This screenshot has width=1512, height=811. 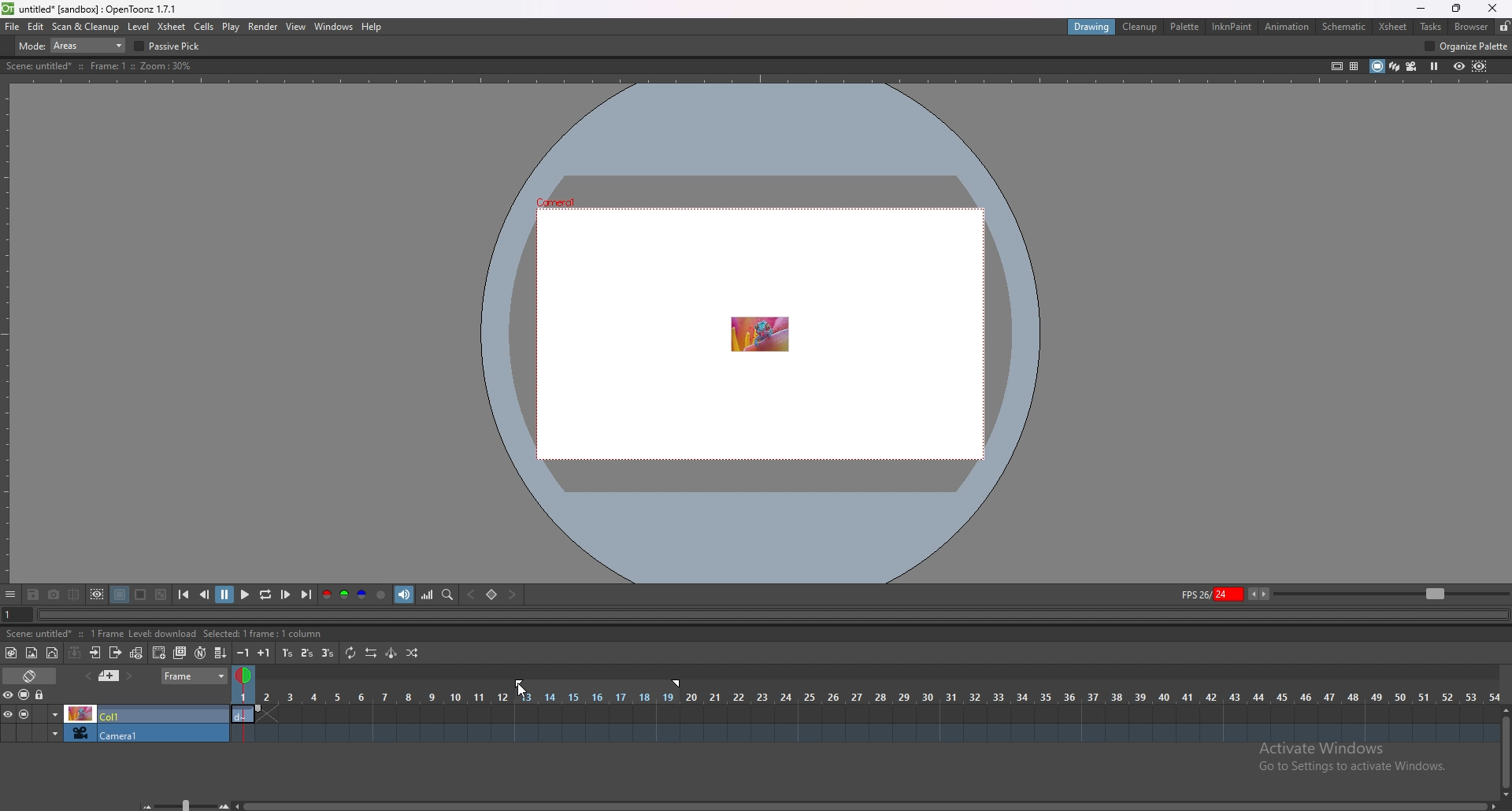 What do you see at coordinates (392, 652) in the screenshot?
I see `swing` at bounding box center [392, 652].